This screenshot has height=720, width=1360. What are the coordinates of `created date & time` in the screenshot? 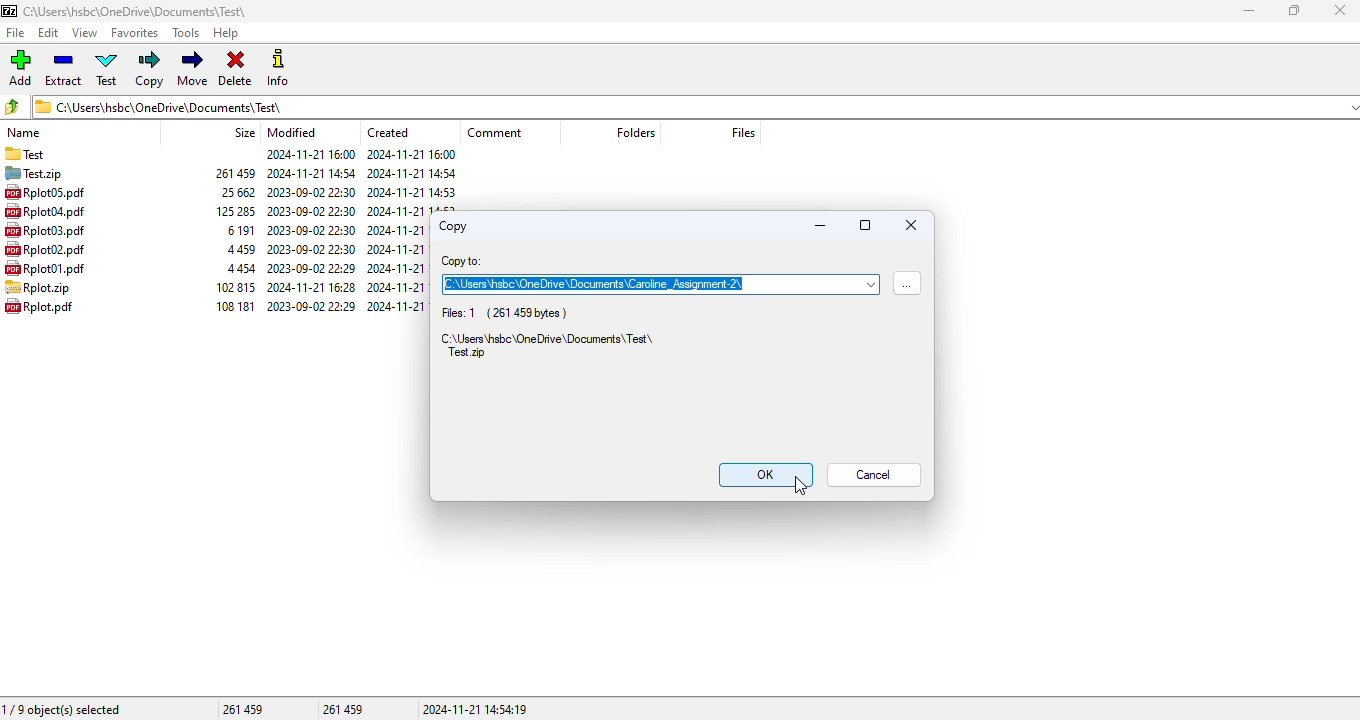 It's located at (411, 191).